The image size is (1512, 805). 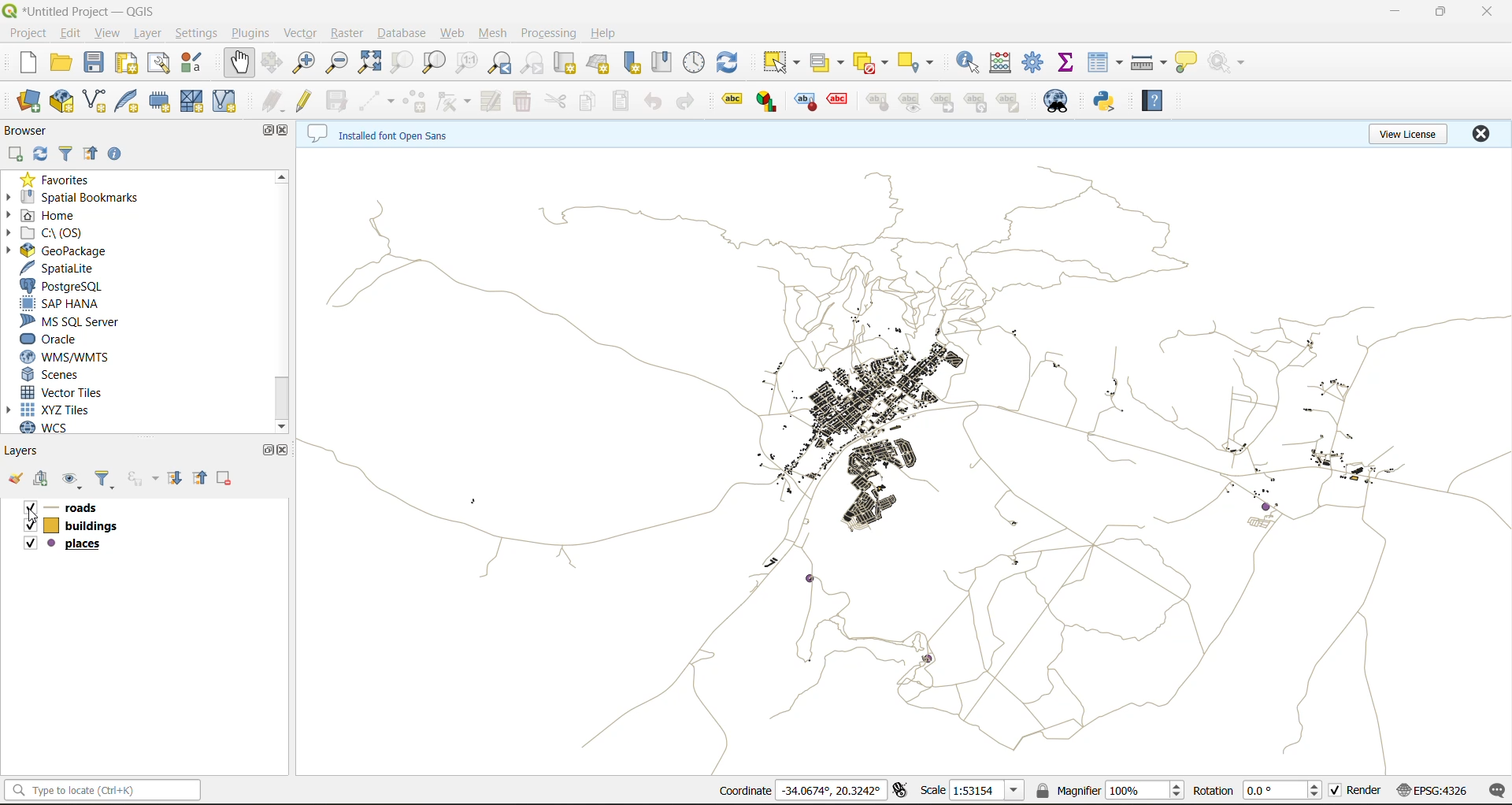 What do you see at coordinates (69, 286) in the screenshot?
I see `postgresql` at bounding box center [69, 286].